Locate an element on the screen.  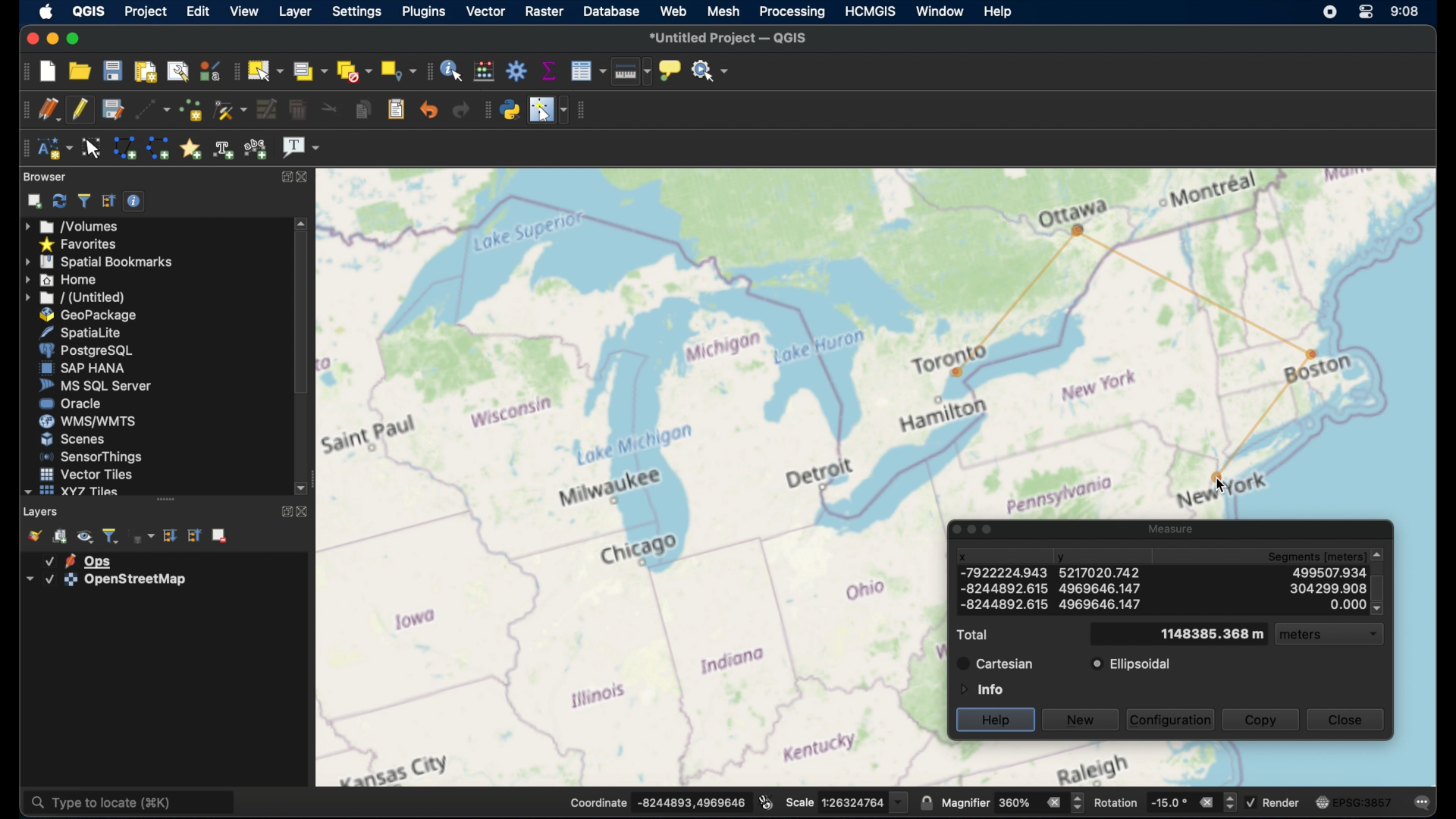
help is located at coordinates (995, 720).